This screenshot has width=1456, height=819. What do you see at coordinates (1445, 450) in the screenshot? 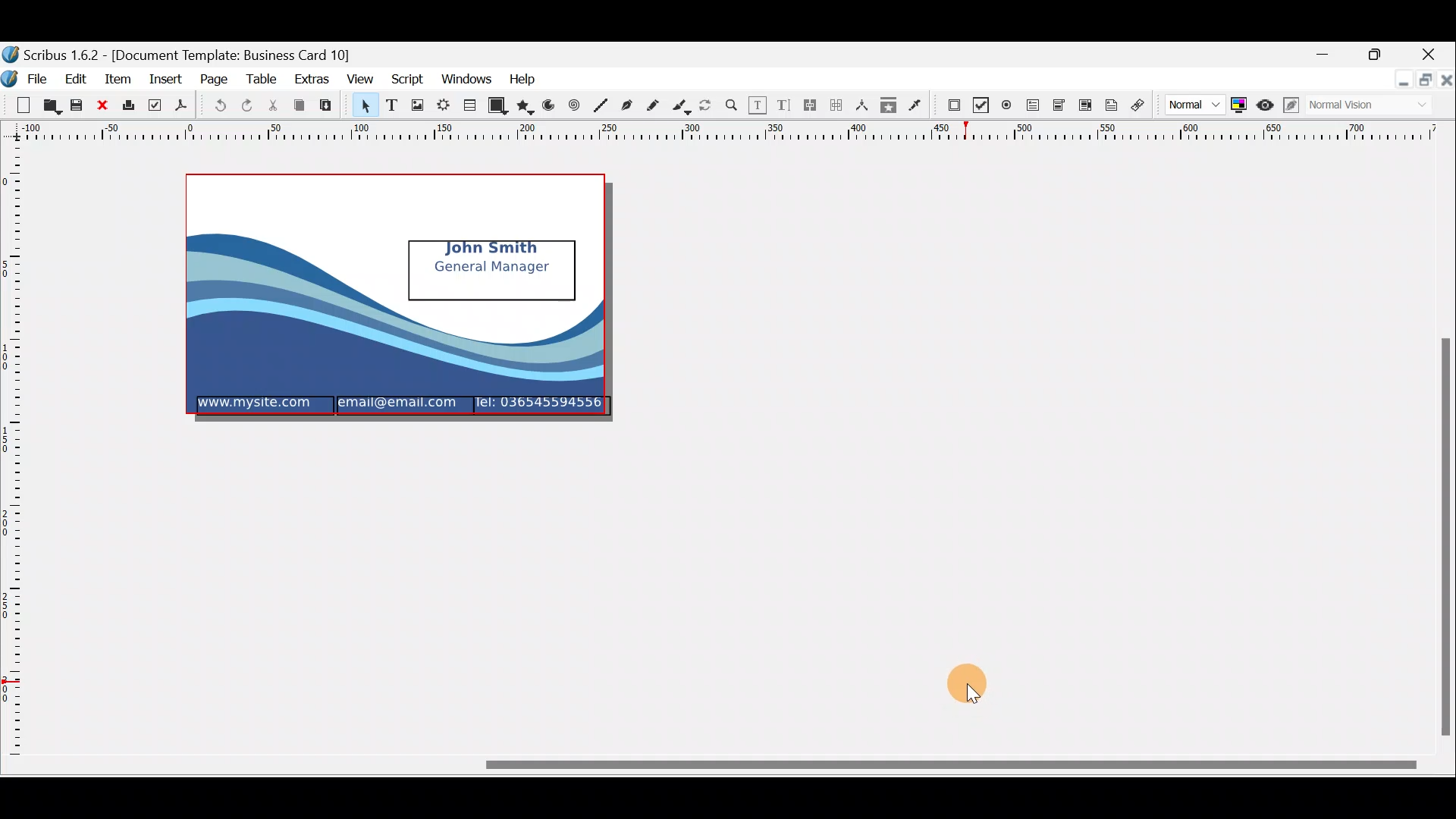
I see `Scroll bar` at bounding box center [1445, 450].